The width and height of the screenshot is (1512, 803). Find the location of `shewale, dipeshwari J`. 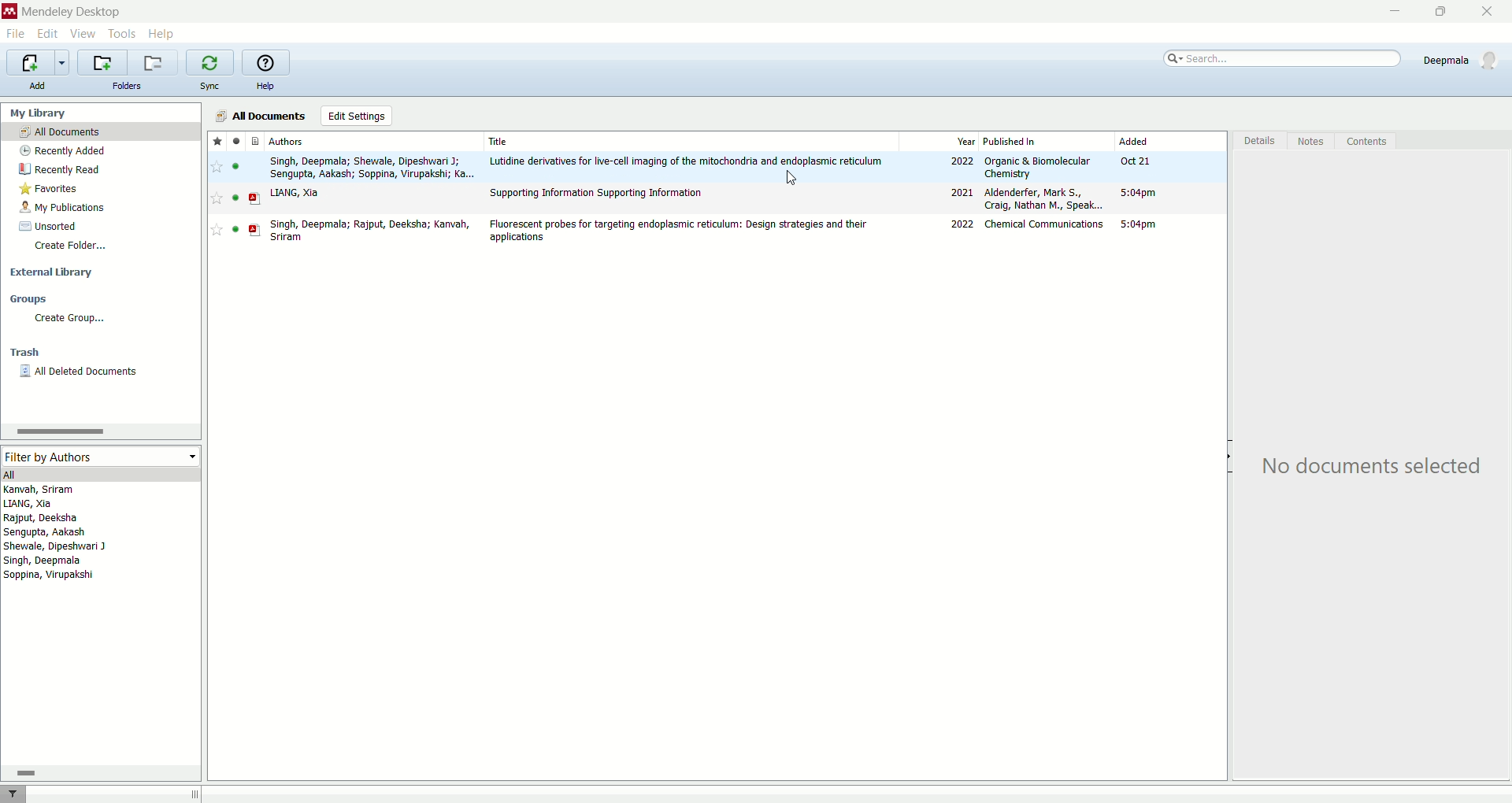

shewale, dipeshwari J is located at coordinates (55, 546).